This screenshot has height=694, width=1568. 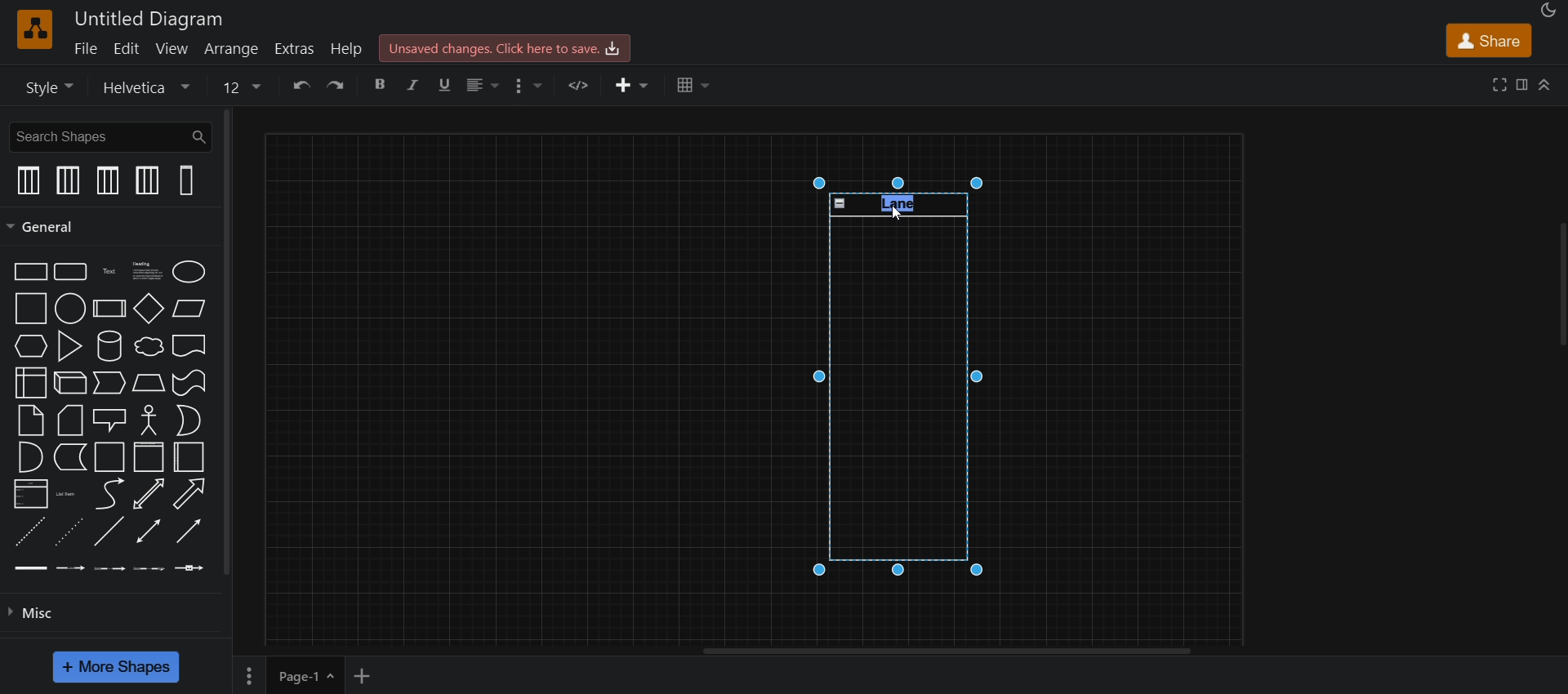 What do you see at coordinates (109, 383) in the screenshot?
I see `step` at bounding box center [109, 383].